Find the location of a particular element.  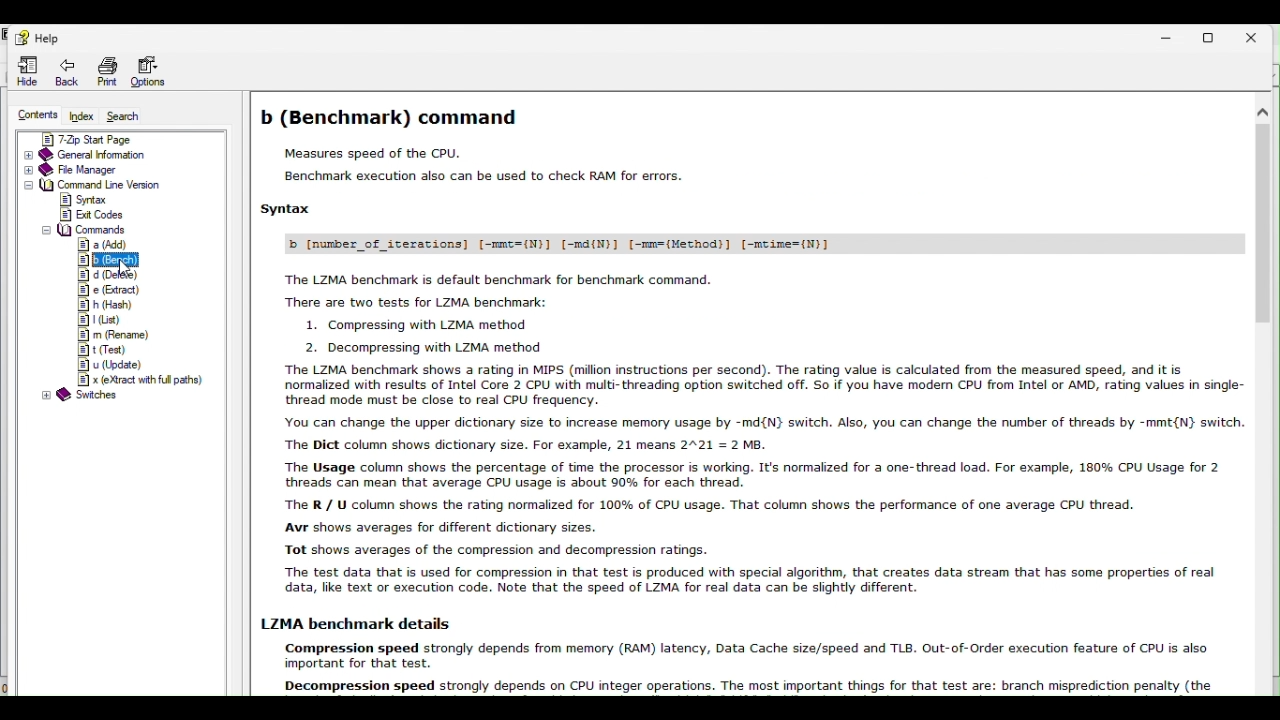

Options is located at coordinates (152, 70).